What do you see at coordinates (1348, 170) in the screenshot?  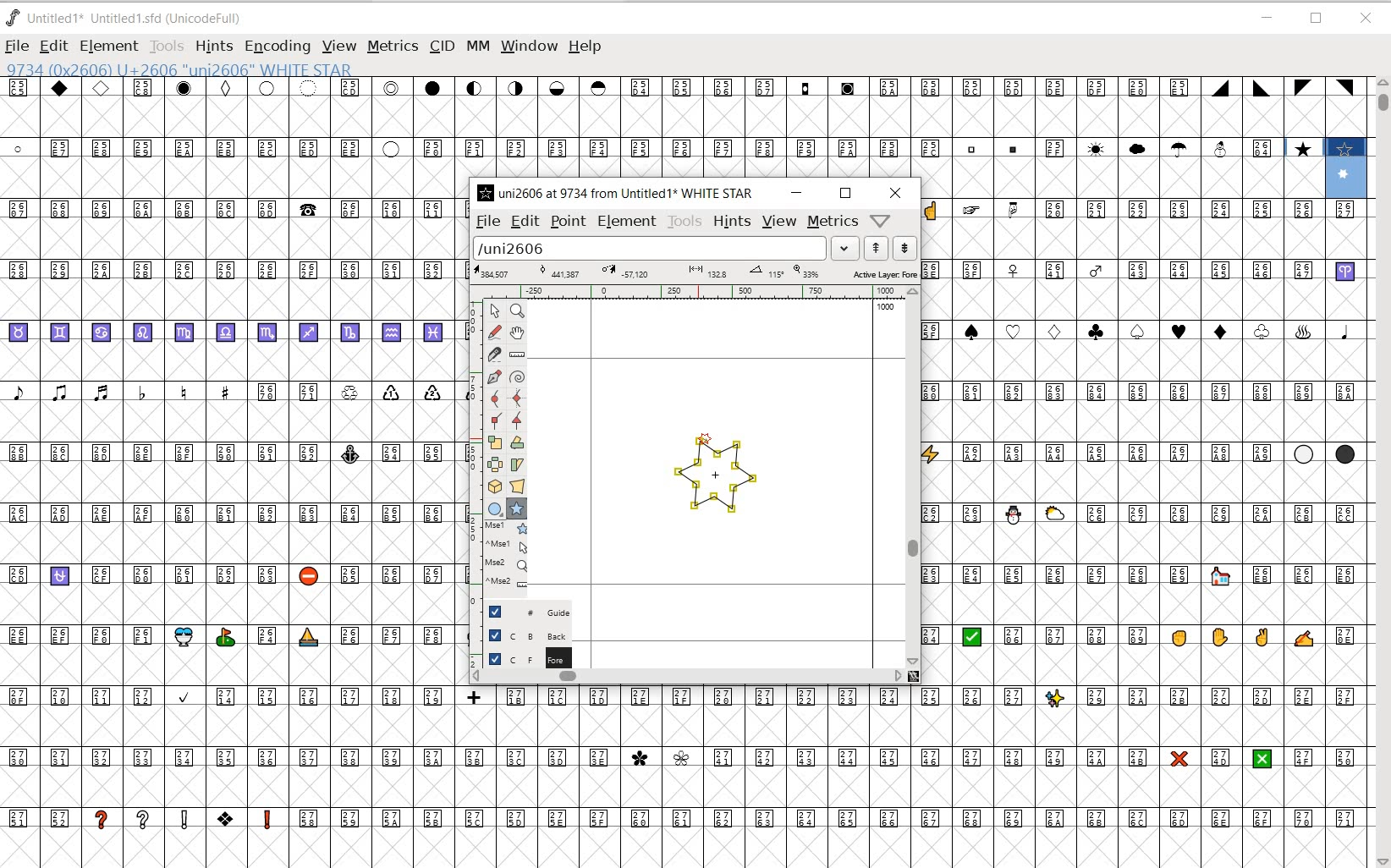 I see `glyph slot` at bounding box center [1348, 170].